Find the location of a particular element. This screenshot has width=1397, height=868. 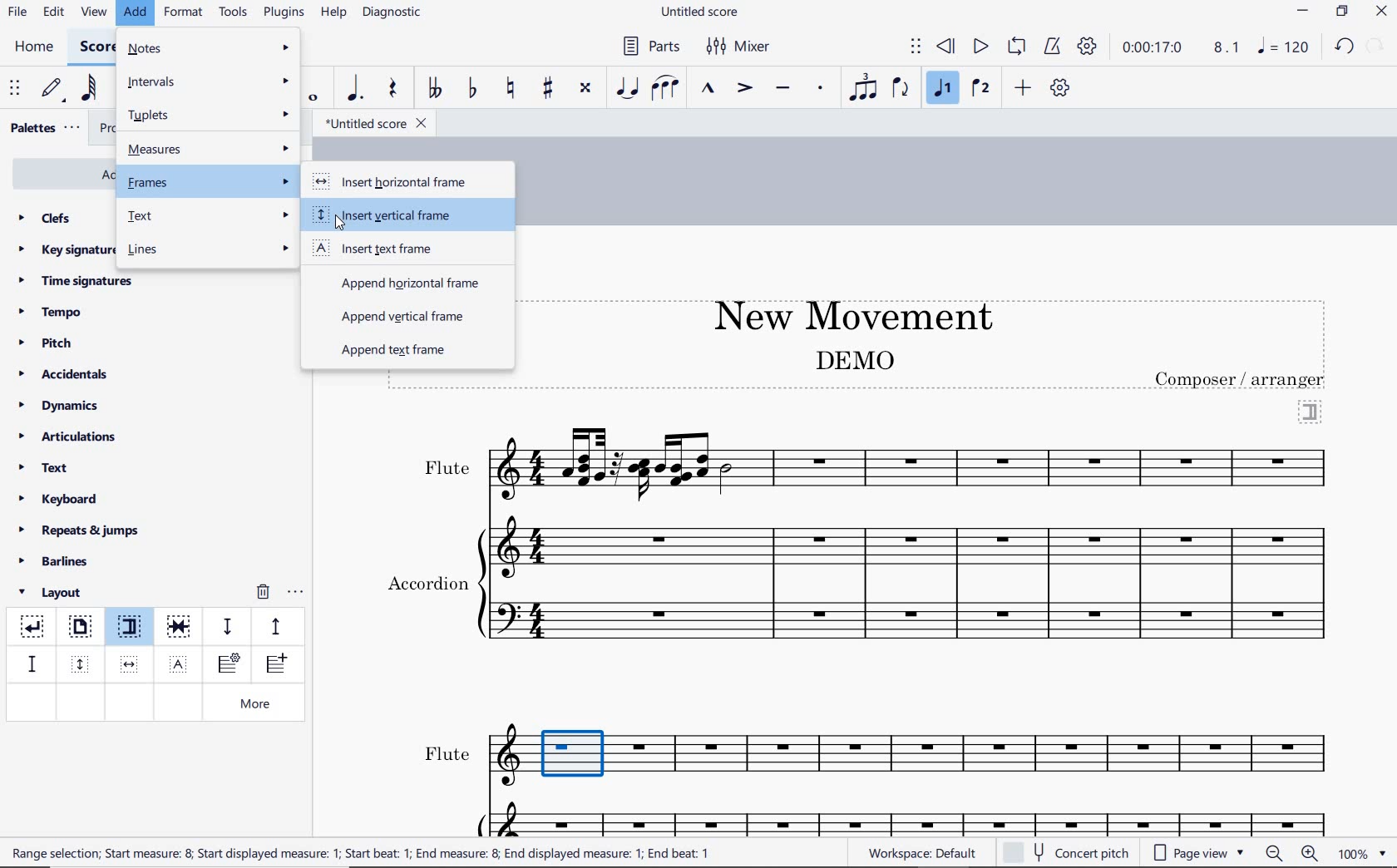

score is located at coordinates (96, 47).